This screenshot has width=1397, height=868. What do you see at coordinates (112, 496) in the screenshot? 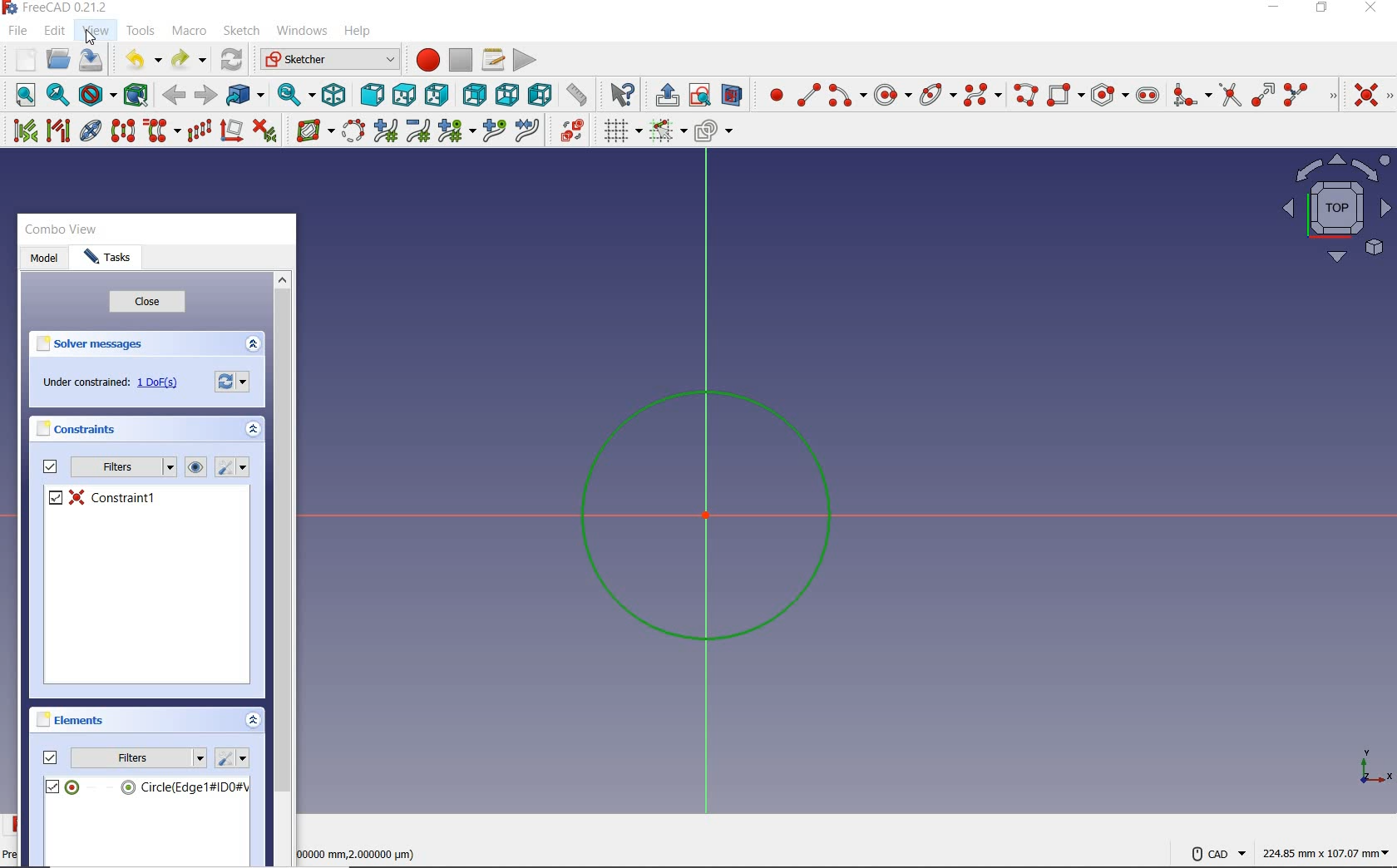
I see `constrain1` at bounding box center [112, 496].